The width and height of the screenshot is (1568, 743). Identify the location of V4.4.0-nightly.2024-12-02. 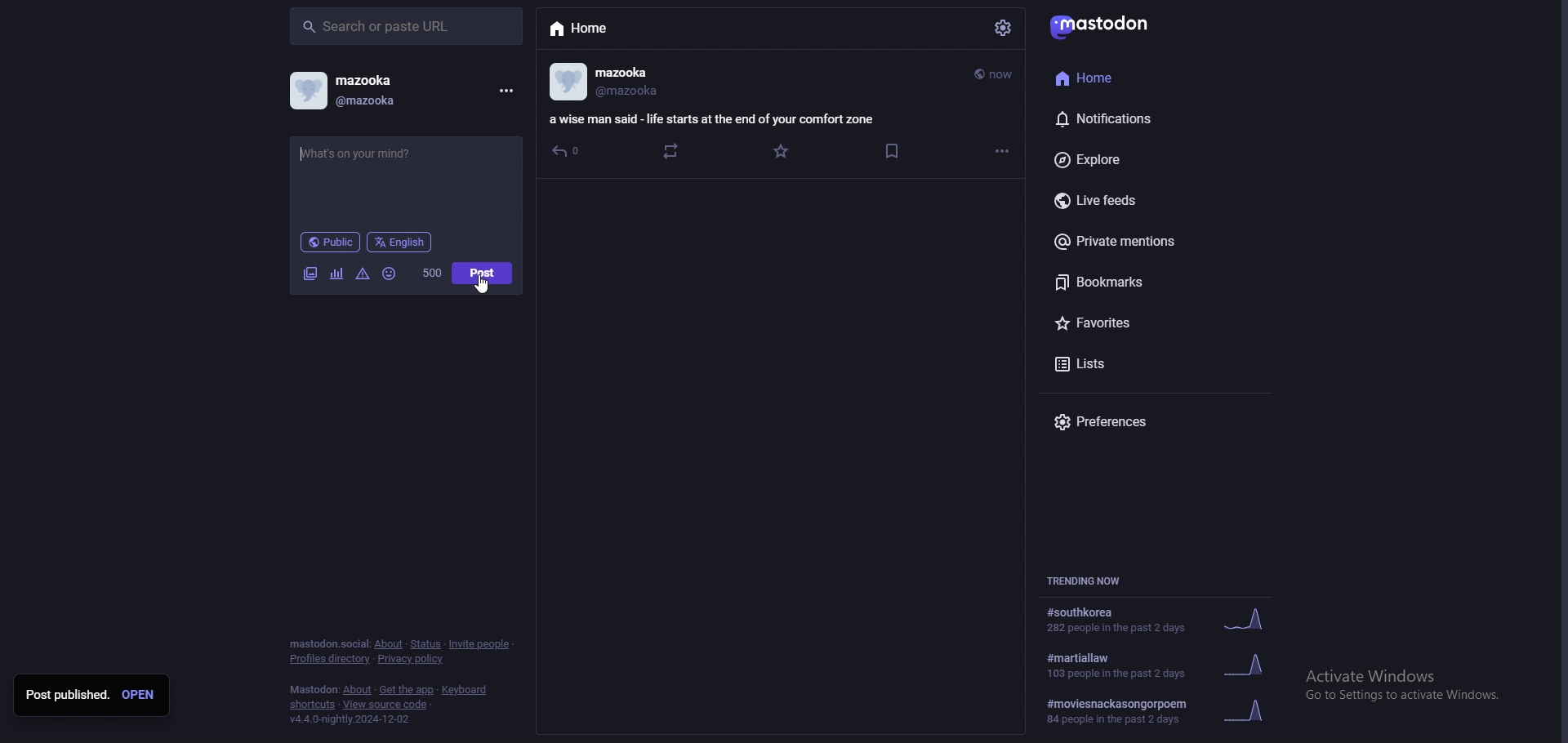
(358, 719).